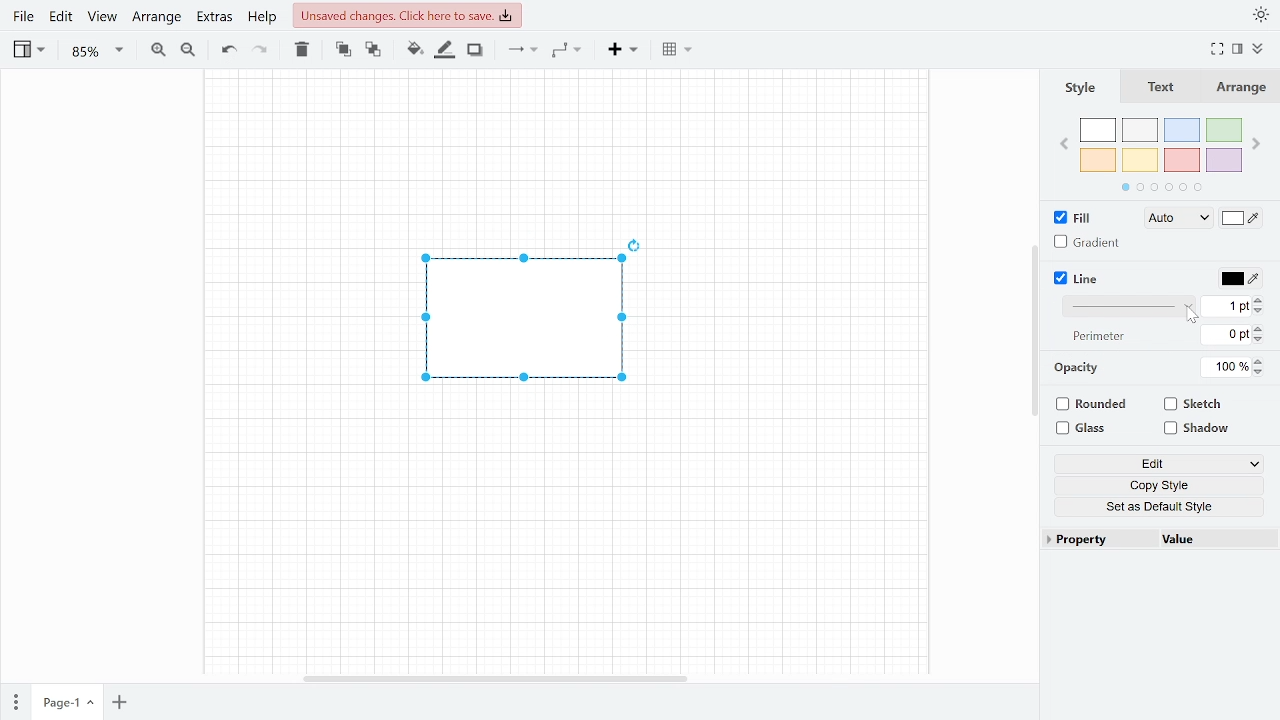 Image resolution: width=1280 pixels, height=720 pixels. Describe the element at coordinates (1092, 405) in the screenshot. I see `Rounded` at that location.